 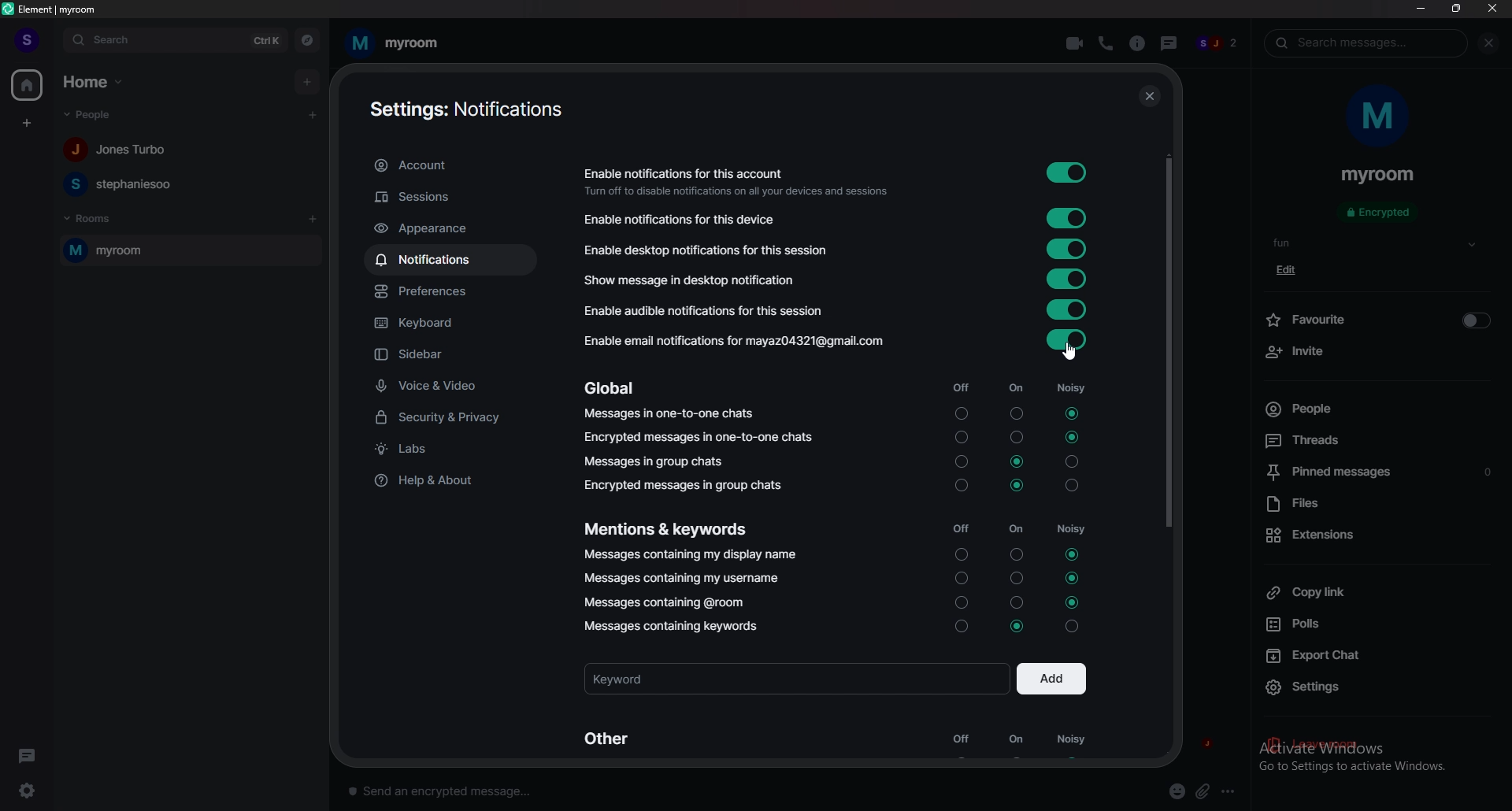 I want to click on threads, so click(x=27, y=754).